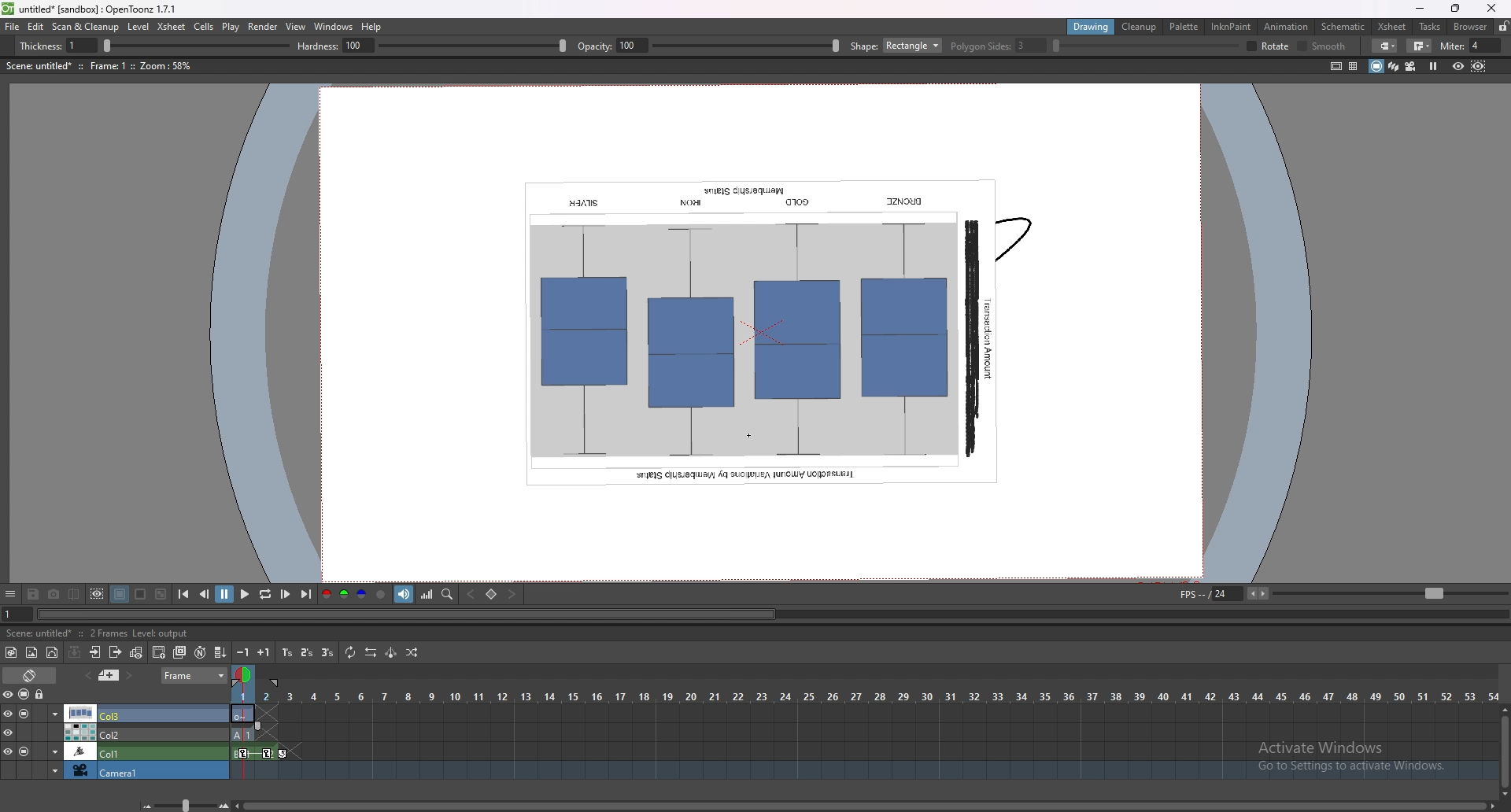  I want to click on cells, so click(203, 26).